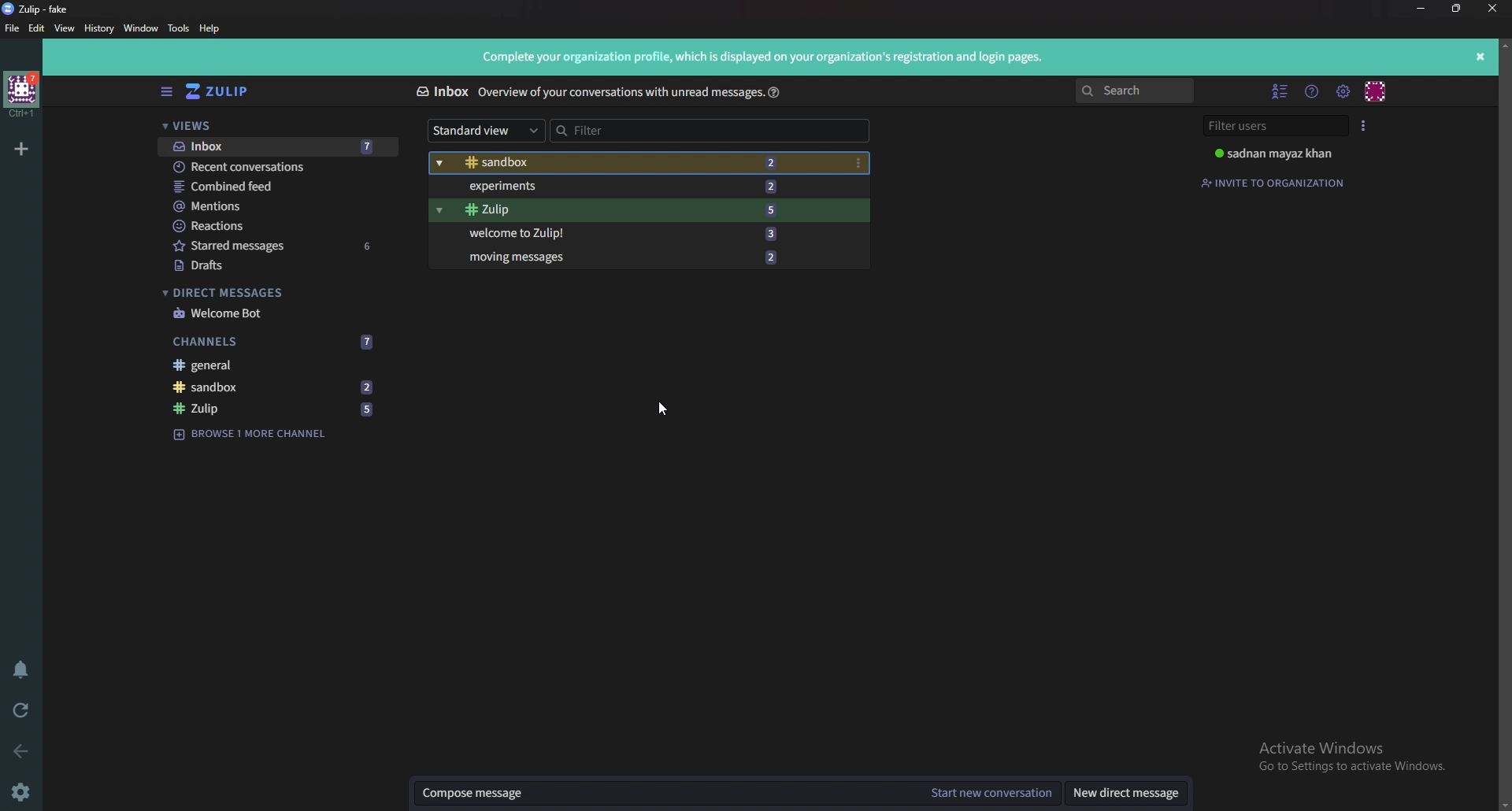 The height and width of the screenshot is (811, 1512). What do you see at coordinates (41, 8) in the screenshot?
I see `zulip -fake` at bounding box center [41, 8].